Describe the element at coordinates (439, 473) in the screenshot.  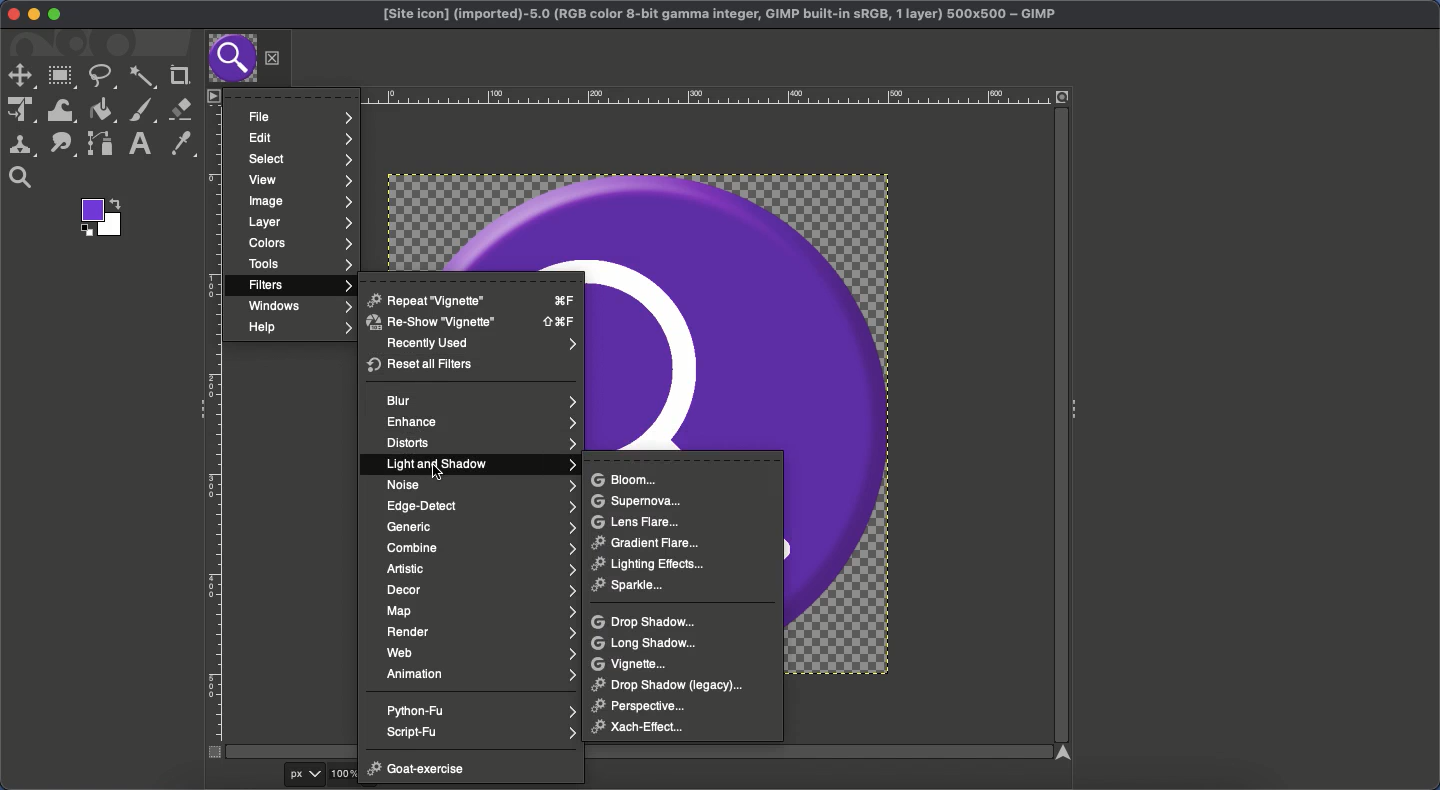
I see `cursor` at that location.